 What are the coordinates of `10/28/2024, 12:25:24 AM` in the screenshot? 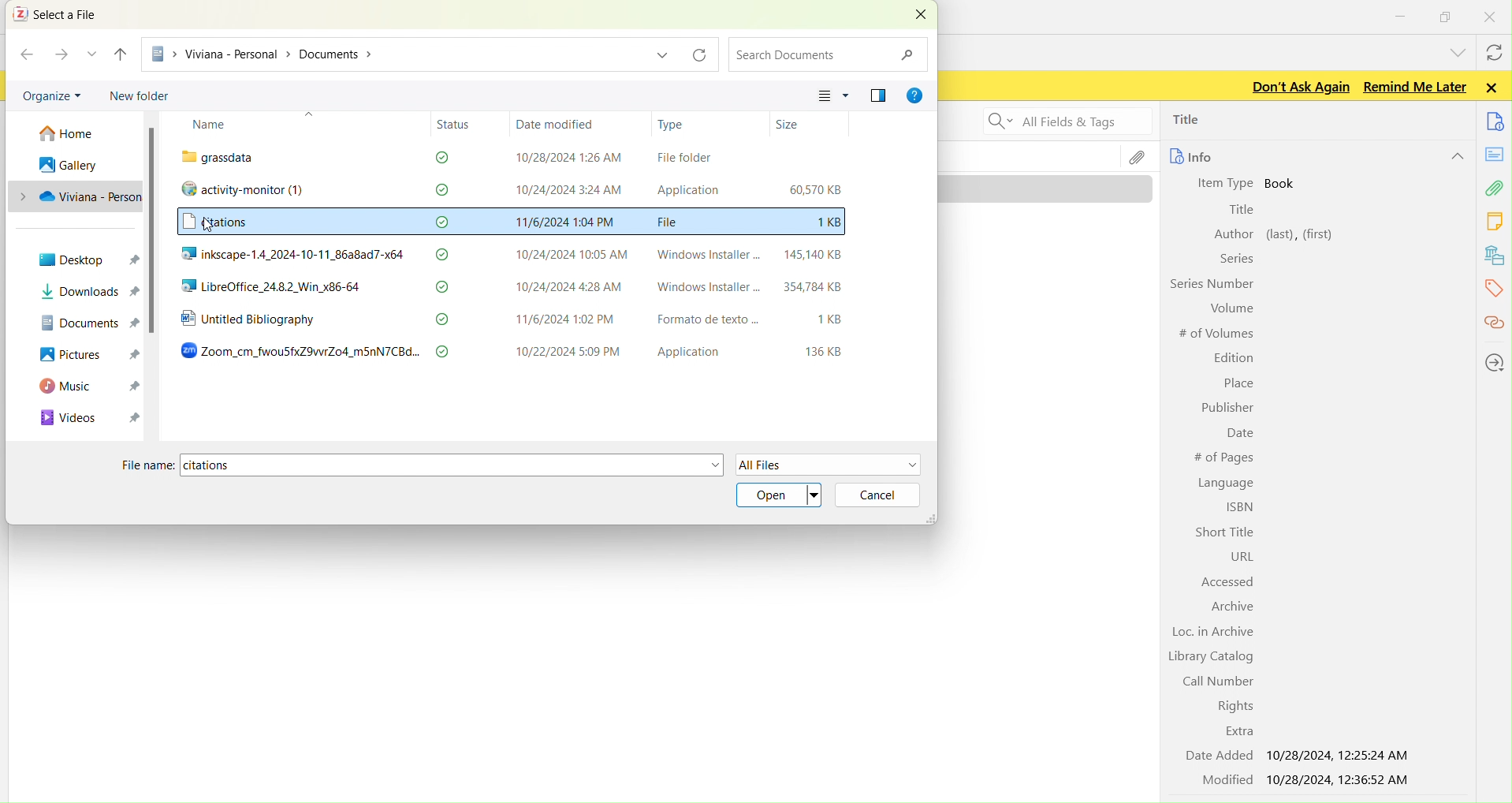 It's located at (1343, 755).